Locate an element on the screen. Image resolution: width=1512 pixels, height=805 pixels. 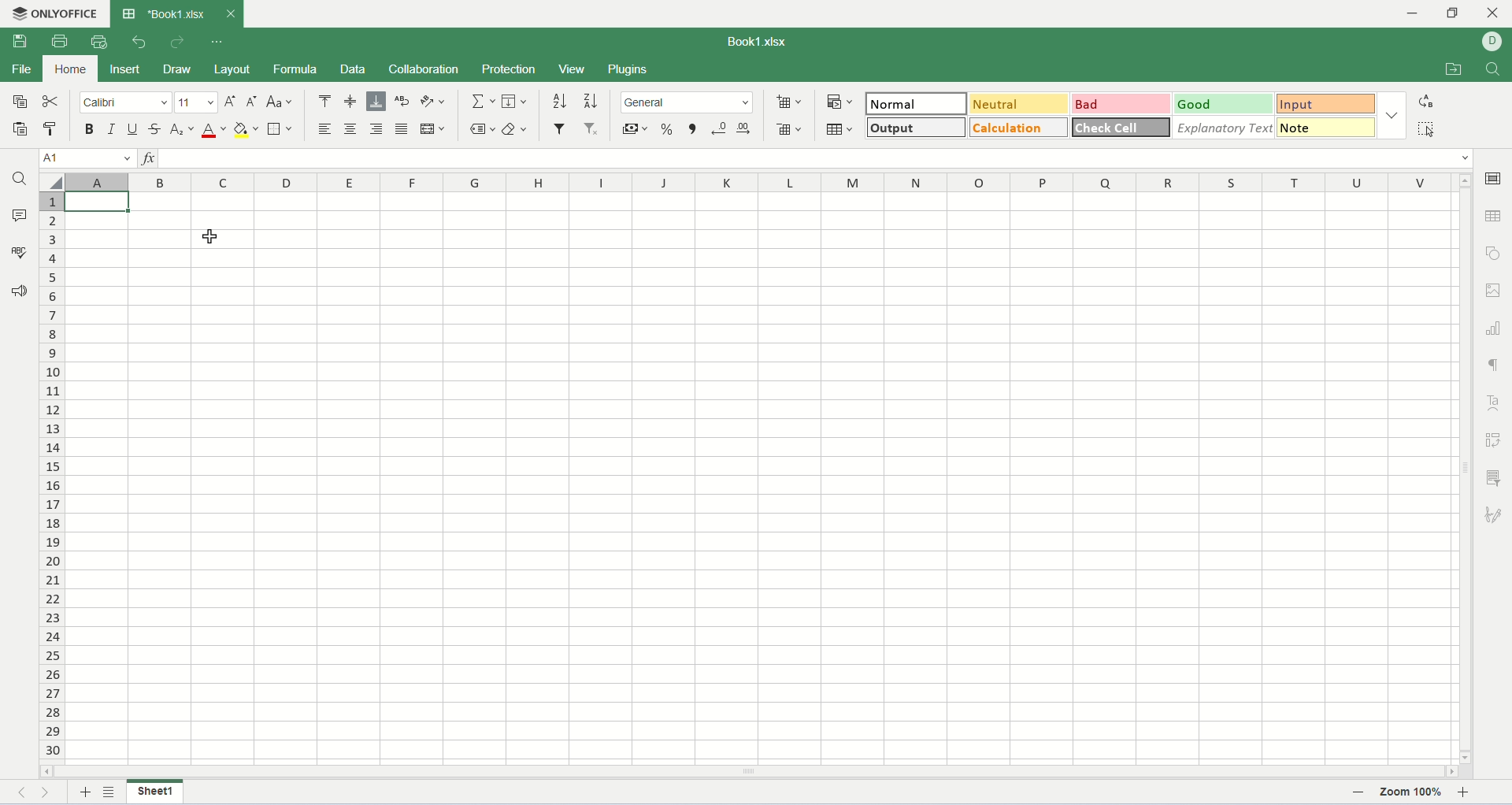
replace is located at coordinates (1429, 101).